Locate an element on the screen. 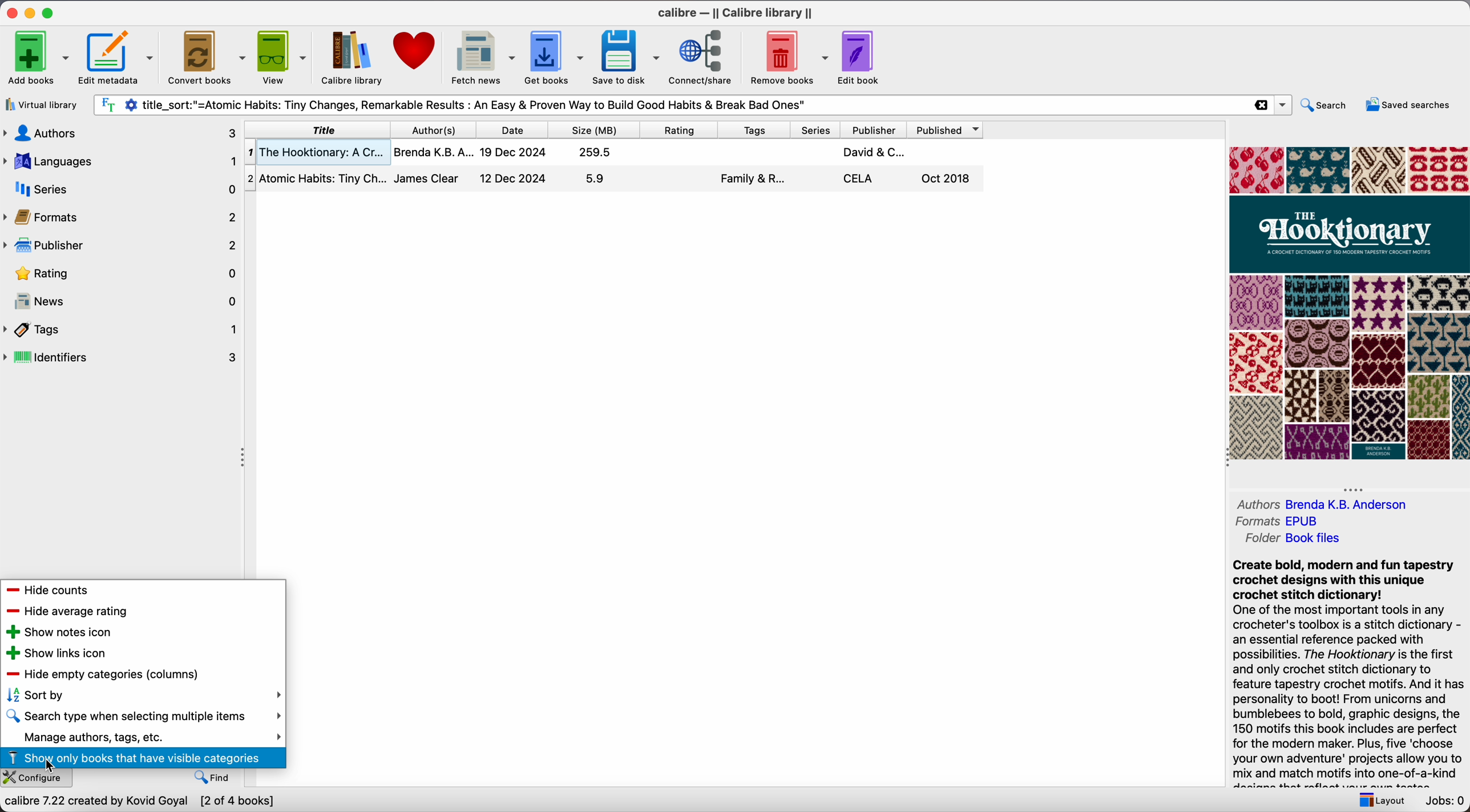 Image resolution: width=1470 pixels, height=812 pixels. The Hooktionary: A Cr... is located at coordinates (318, 151).